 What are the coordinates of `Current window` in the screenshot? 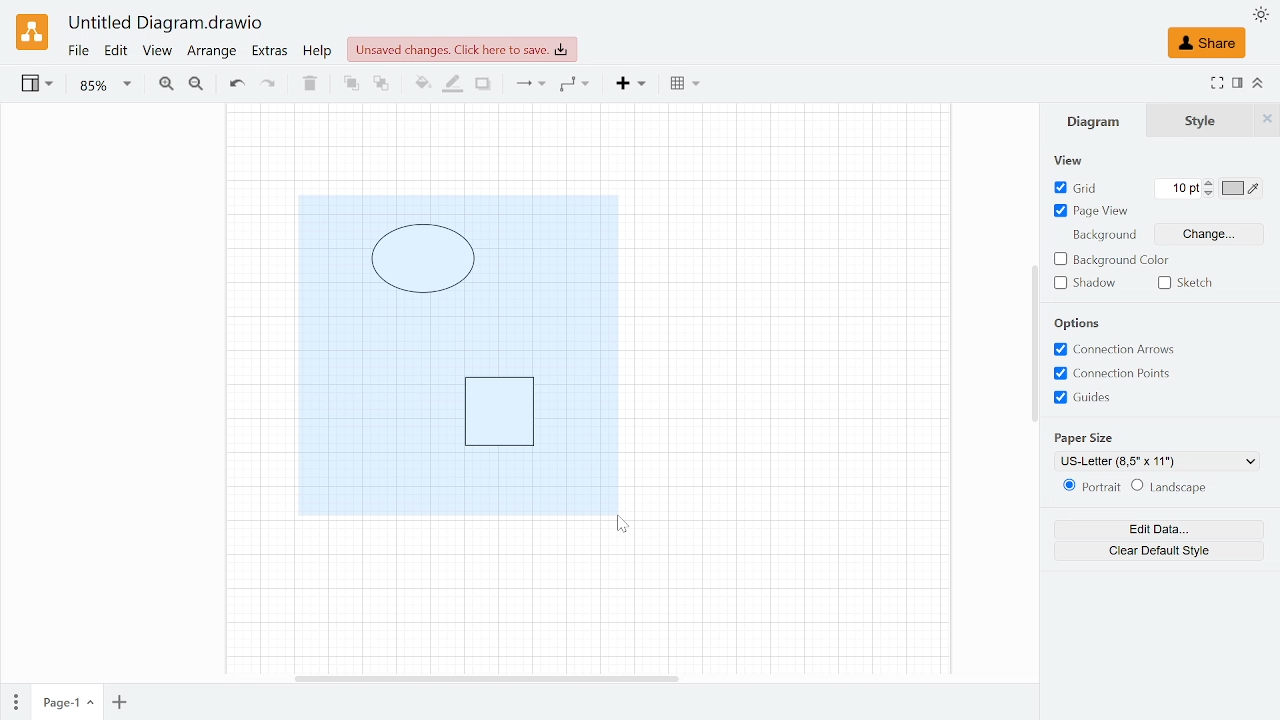 It's located at (167, 24).